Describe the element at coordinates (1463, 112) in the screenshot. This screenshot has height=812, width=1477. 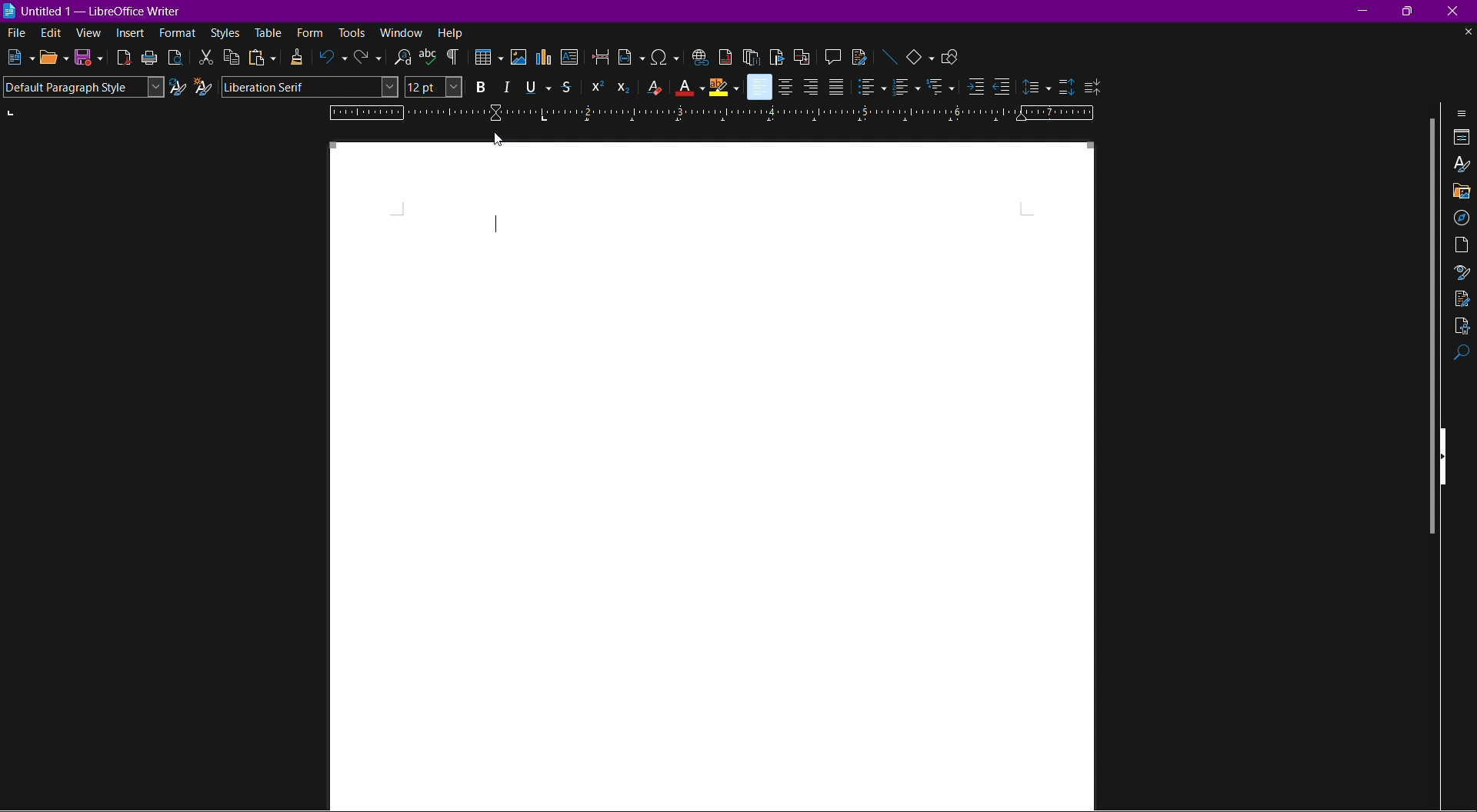
I see `Sidebar properties` at that location.